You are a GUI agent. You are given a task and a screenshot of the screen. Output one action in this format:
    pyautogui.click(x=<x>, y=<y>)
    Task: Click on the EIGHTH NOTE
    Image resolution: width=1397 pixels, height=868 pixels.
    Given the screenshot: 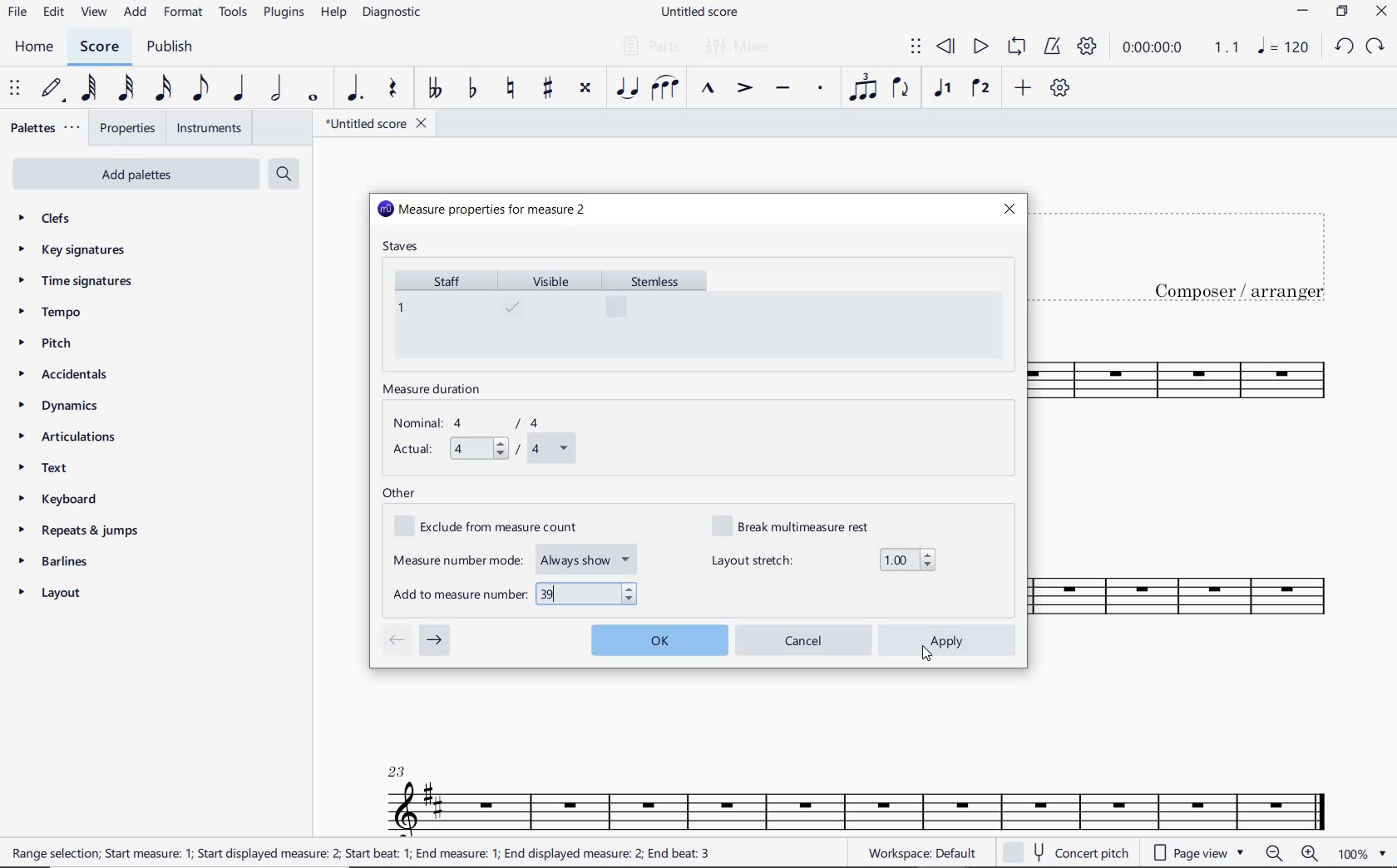 What is the action you would take?
    pyautogui.click(x=199, y=89)
    